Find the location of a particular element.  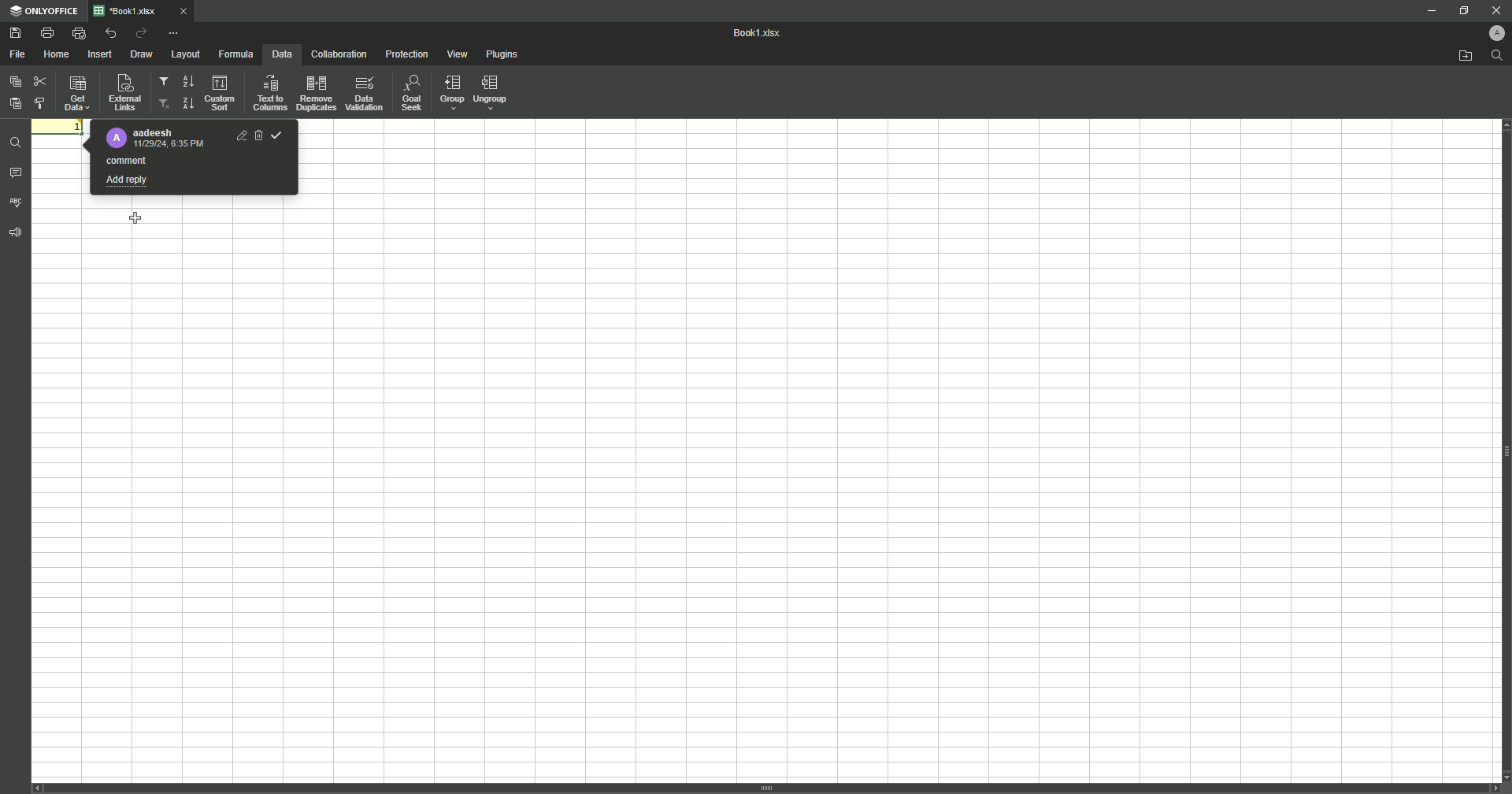

 is located at coordinates (492, 93).